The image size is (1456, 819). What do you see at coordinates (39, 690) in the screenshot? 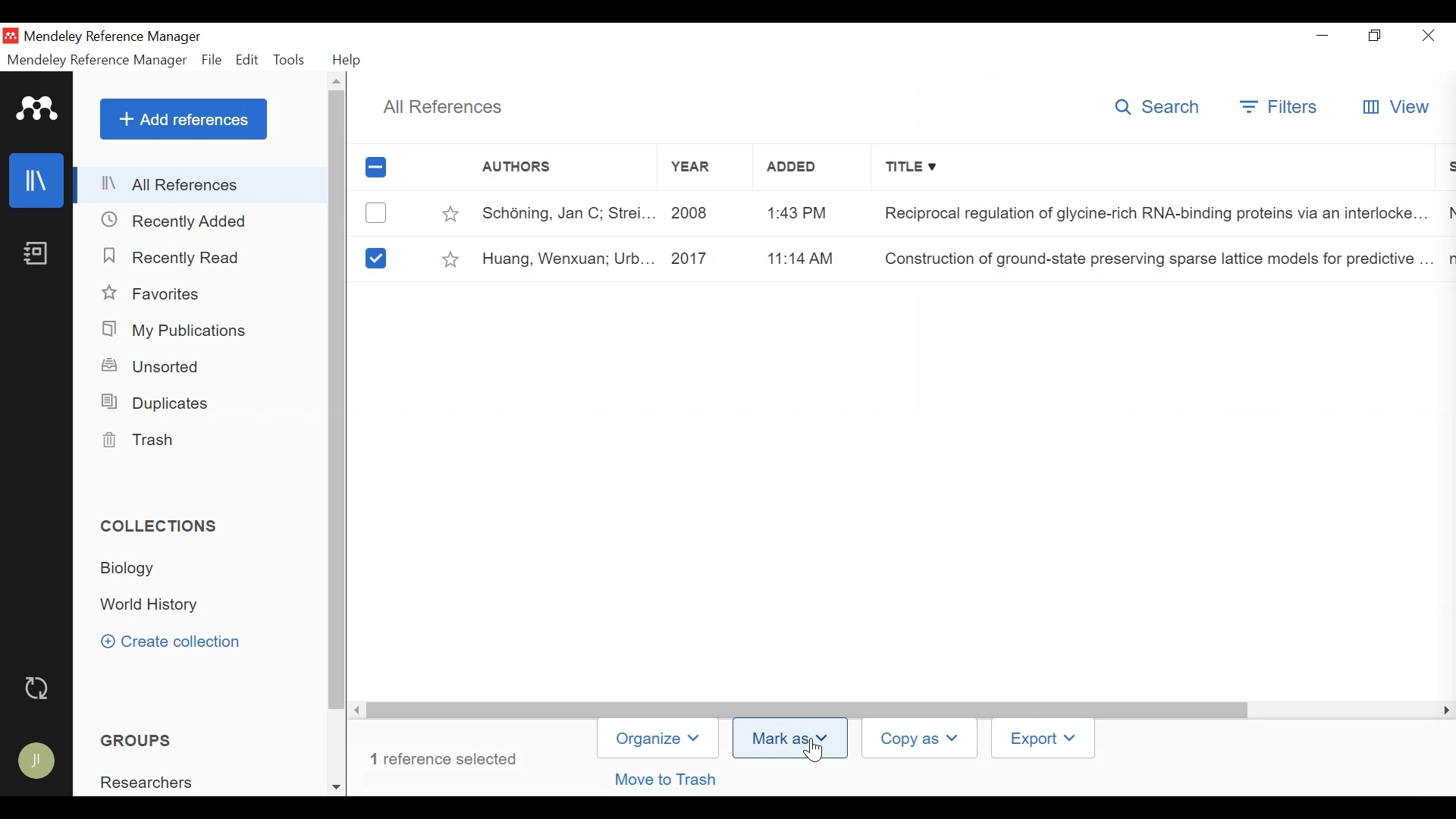
I see `Sync` at bounding box center [39, 690].